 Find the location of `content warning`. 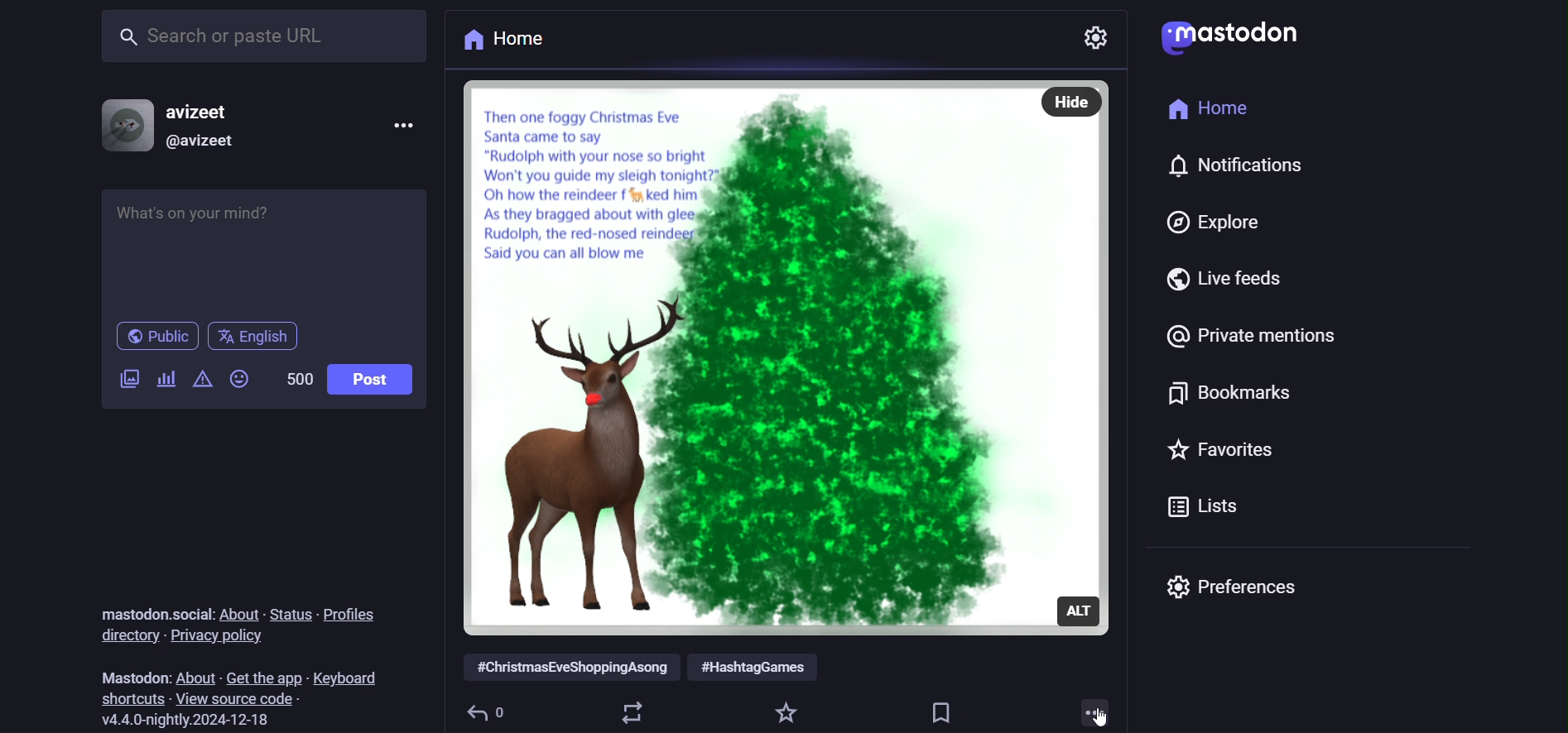

content warning is located at coordinates (199, 379).